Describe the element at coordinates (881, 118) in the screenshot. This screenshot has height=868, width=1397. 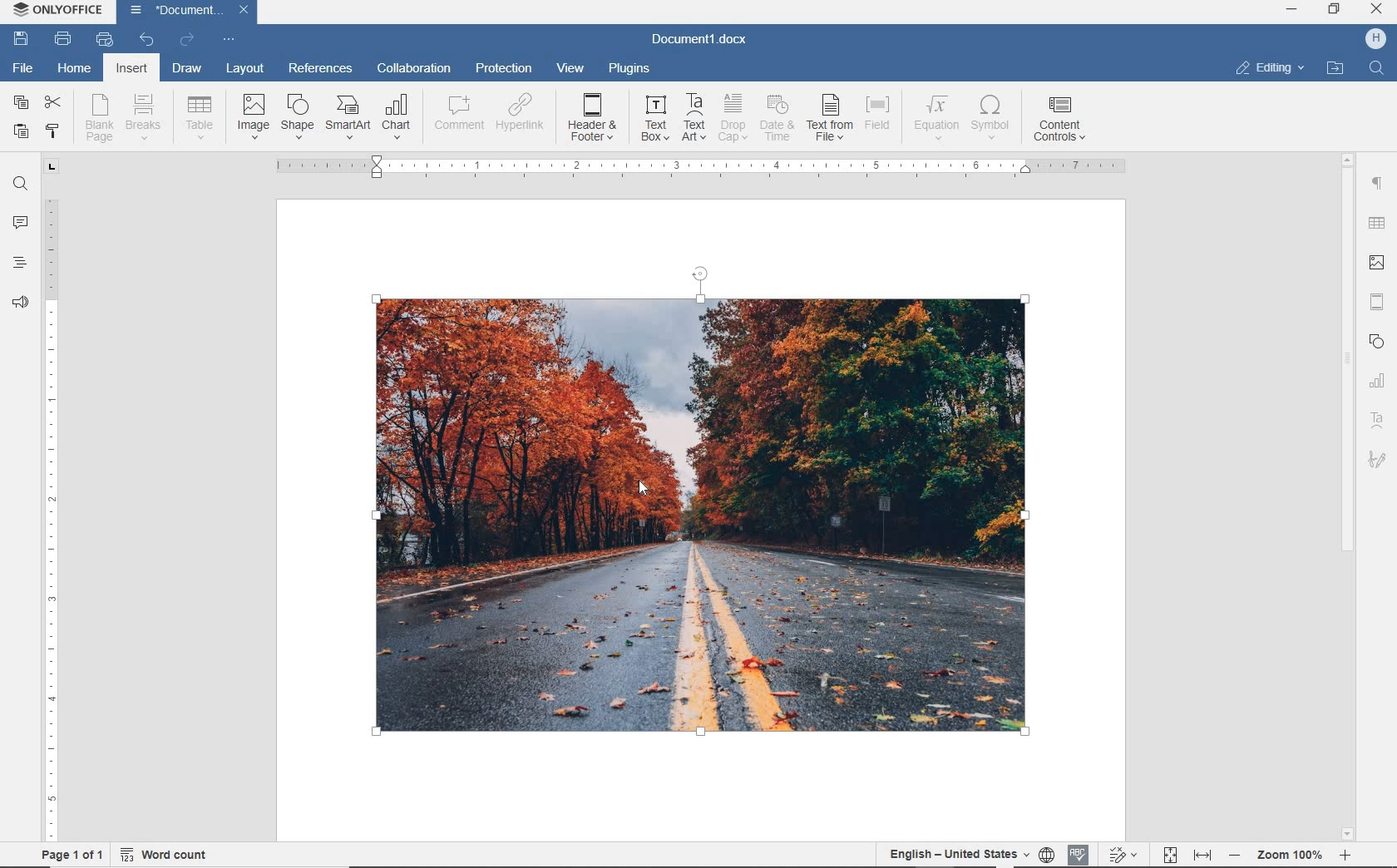
I see `field` at that location.